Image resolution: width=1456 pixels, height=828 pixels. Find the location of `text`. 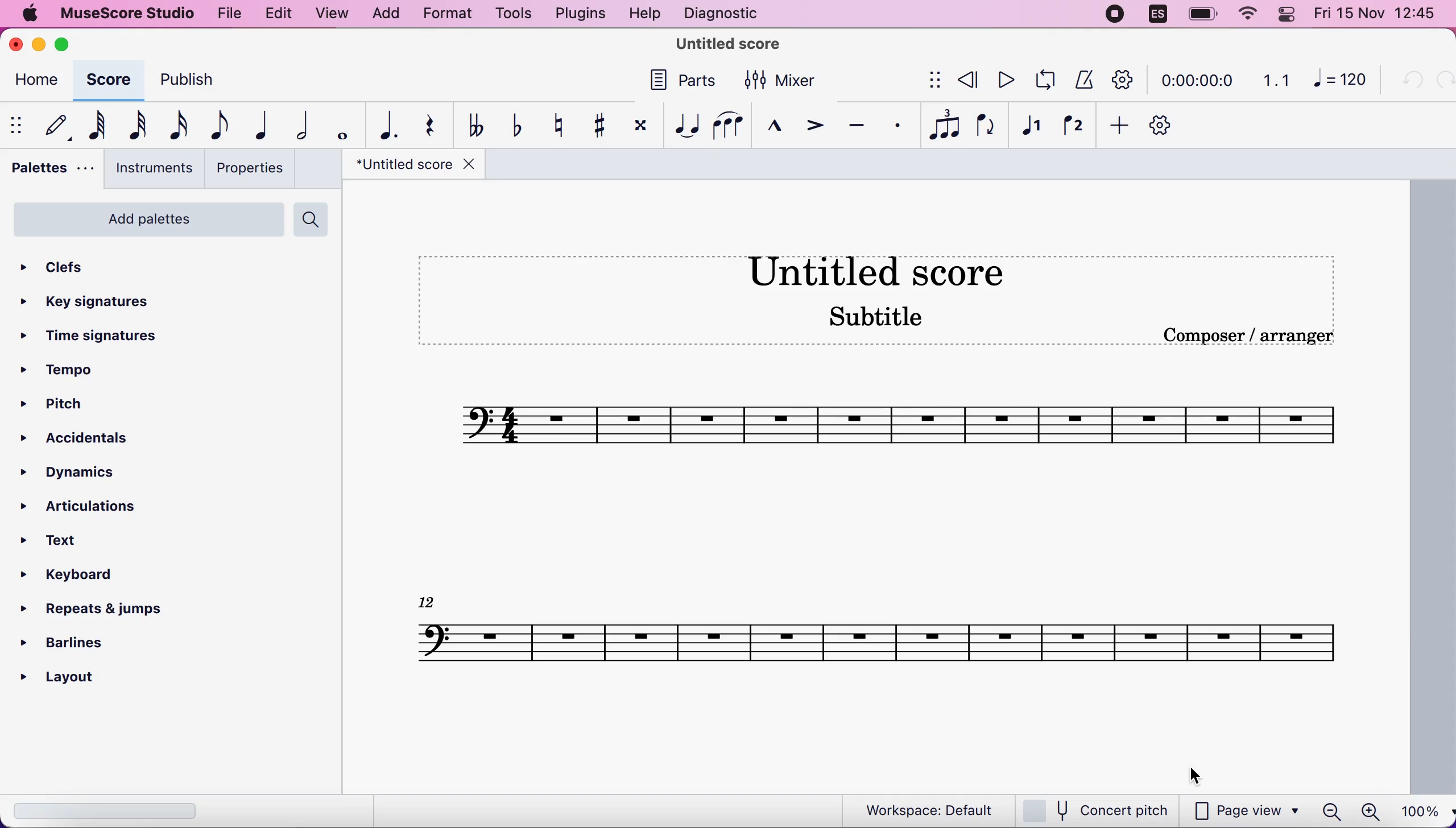

text is located at coordinates (64, 541).